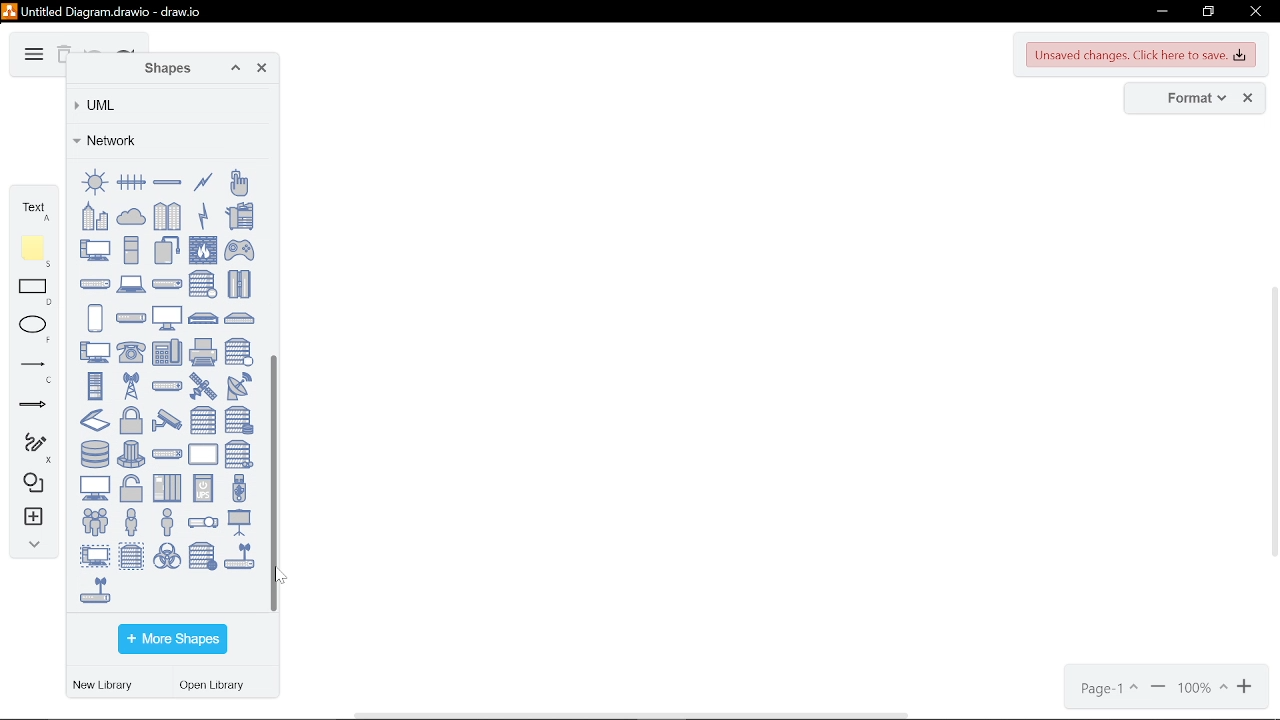  Describe the element at coordinates (203, 250) in the screenshot. I see `firewall` at that location.